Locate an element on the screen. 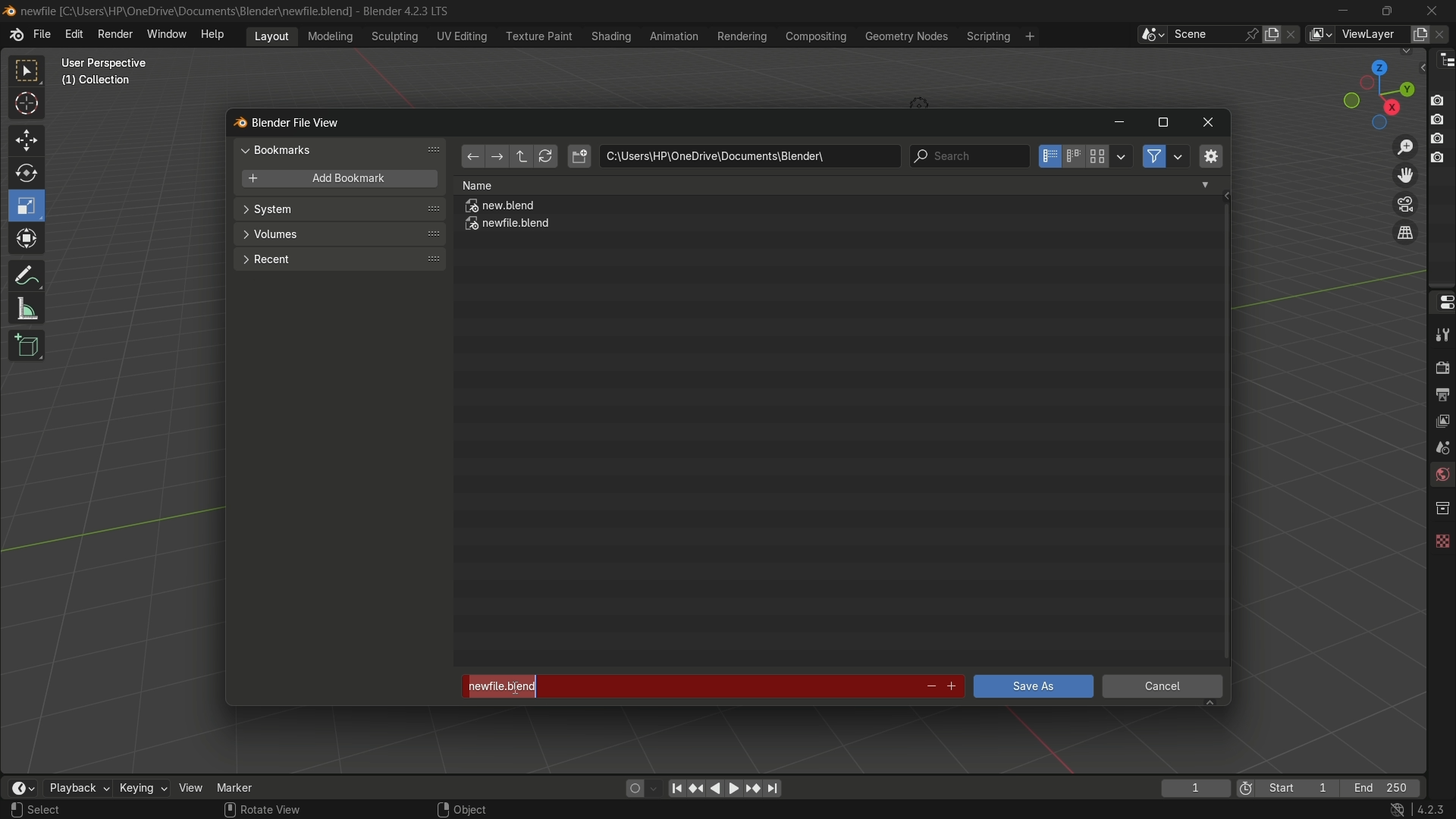 The image size is (1456, 819). geometry nodes menu is located at coordinates (905, 36).